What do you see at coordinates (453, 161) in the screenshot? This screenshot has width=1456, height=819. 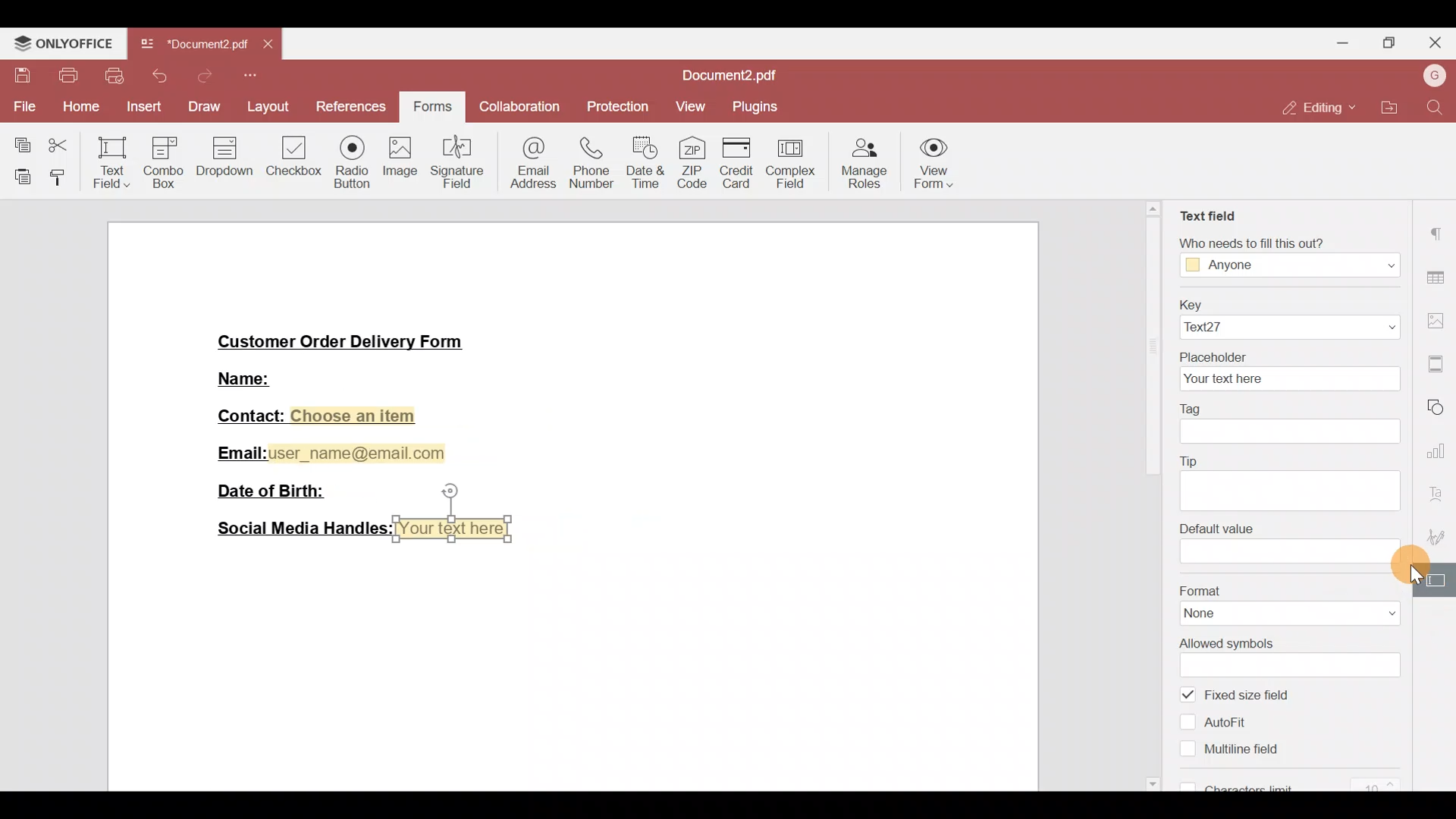 I see `Signature field` at bounding box center [453, 161].